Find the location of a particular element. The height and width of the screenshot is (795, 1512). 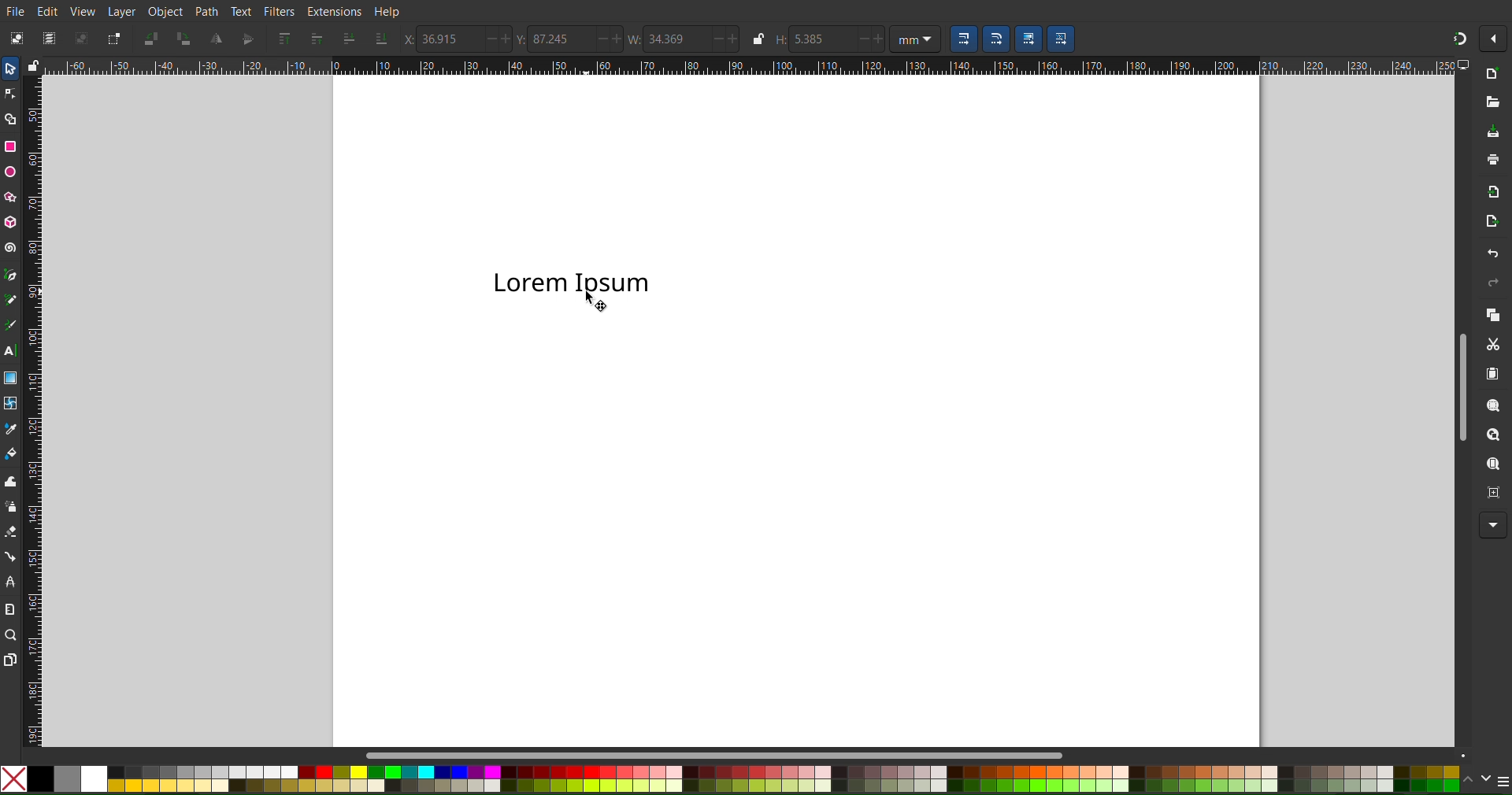

Width  is located at coordinates (697, 39).